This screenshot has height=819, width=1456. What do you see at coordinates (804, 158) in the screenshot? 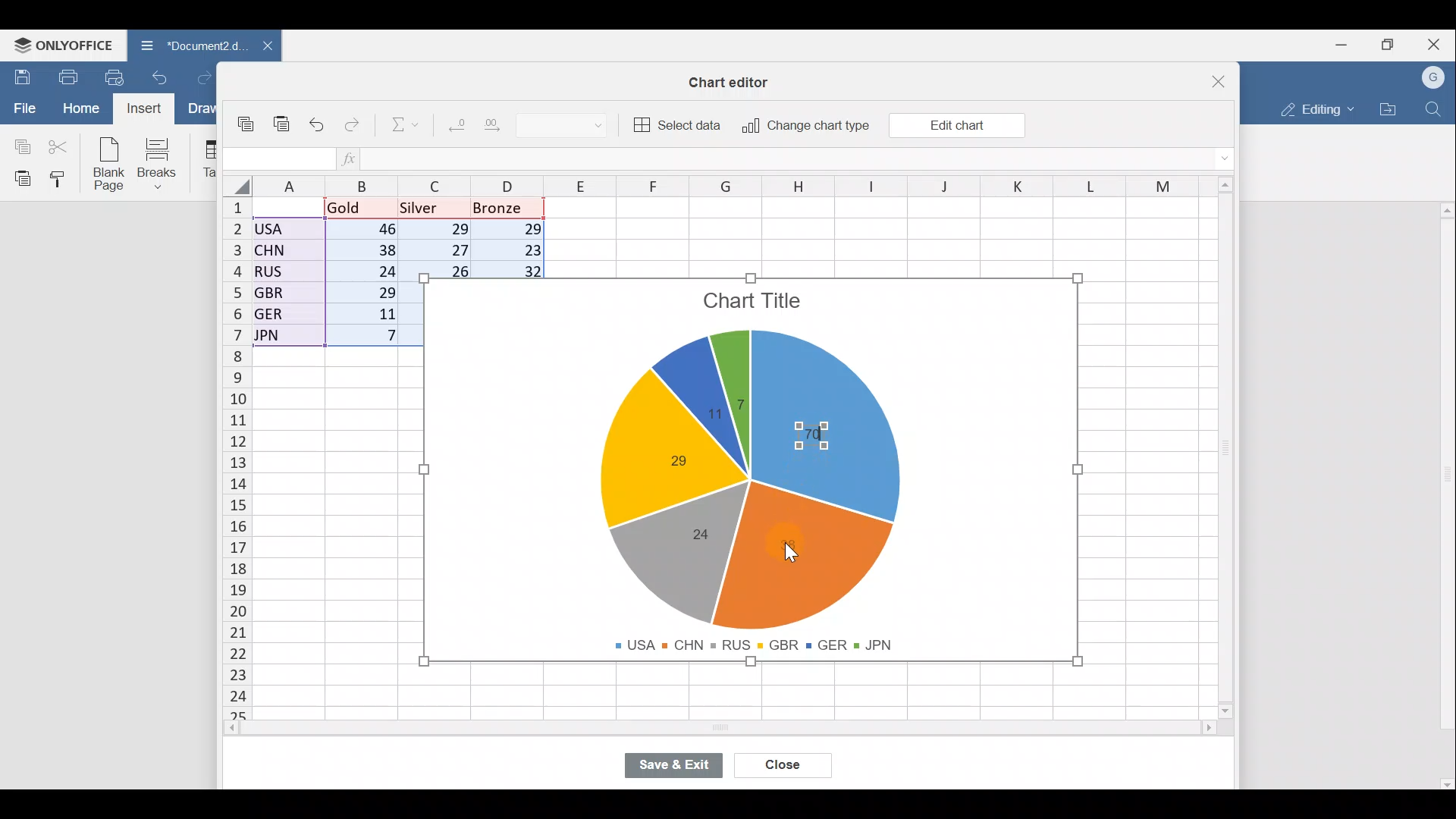
I see `Formula bar` at bounding box center [804, 158].